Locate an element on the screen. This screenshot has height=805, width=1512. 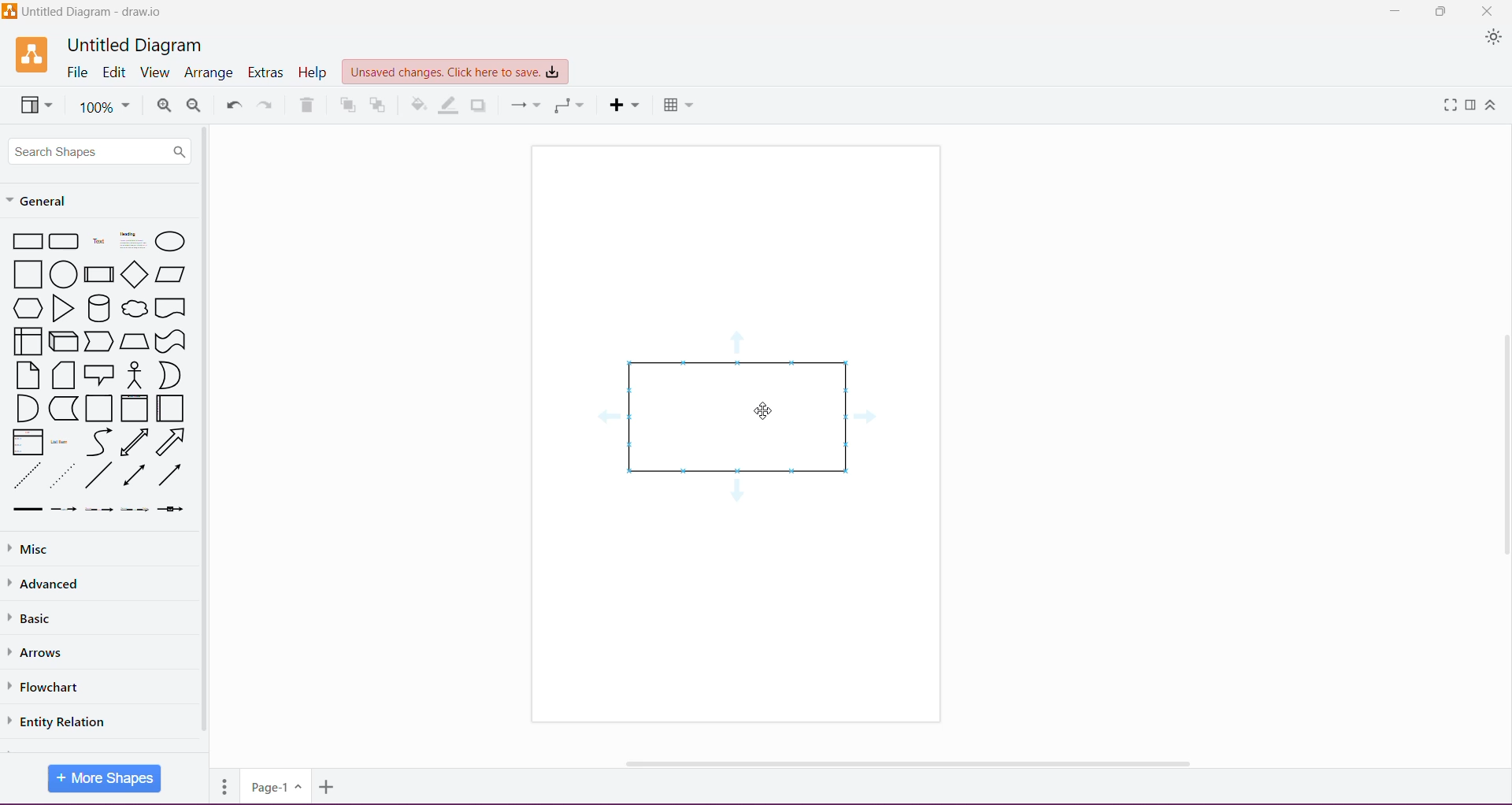
Canvas with selected shape is located at coordinates (735, 433).